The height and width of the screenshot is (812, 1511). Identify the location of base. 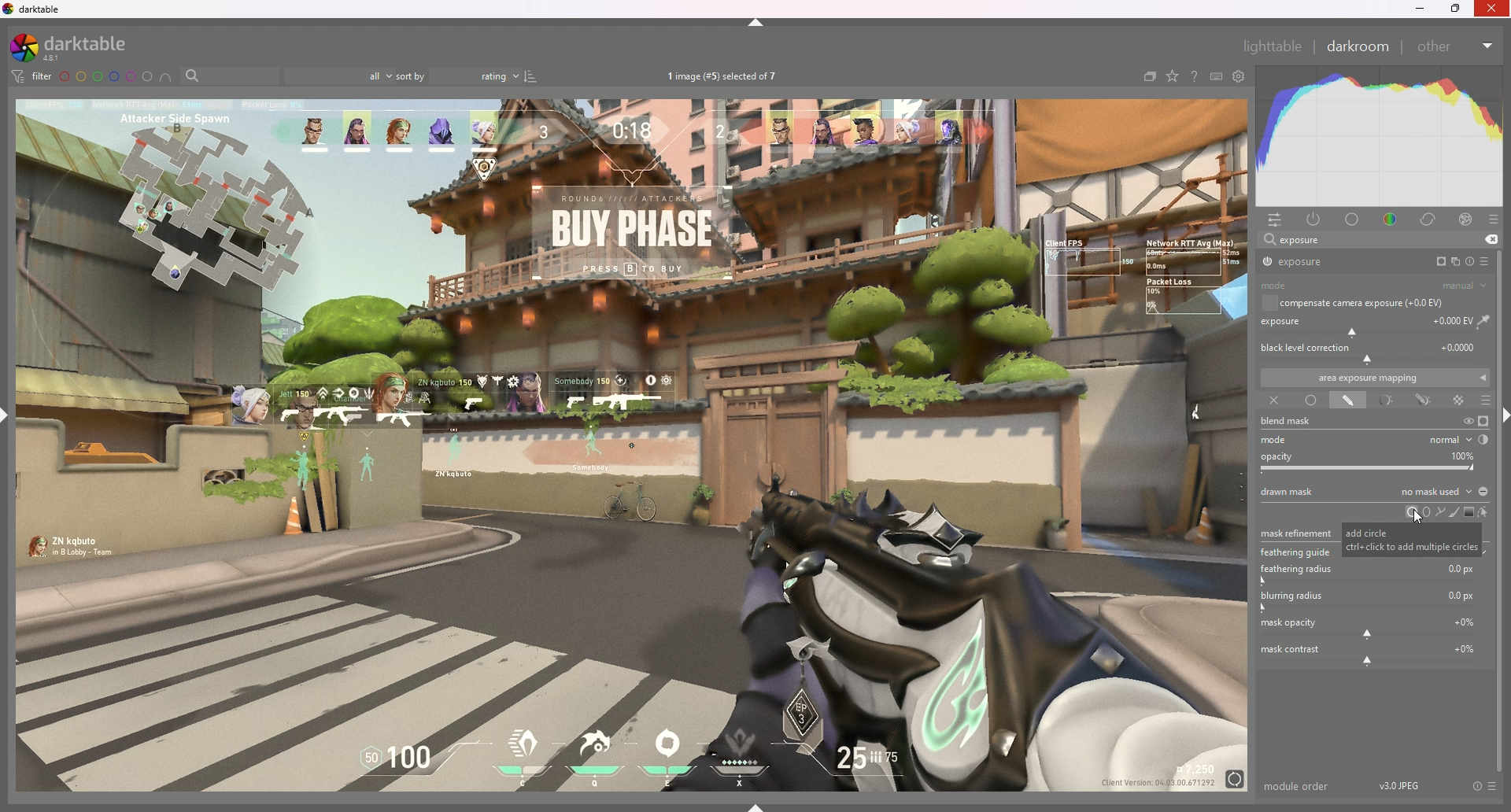
(1353, 220).